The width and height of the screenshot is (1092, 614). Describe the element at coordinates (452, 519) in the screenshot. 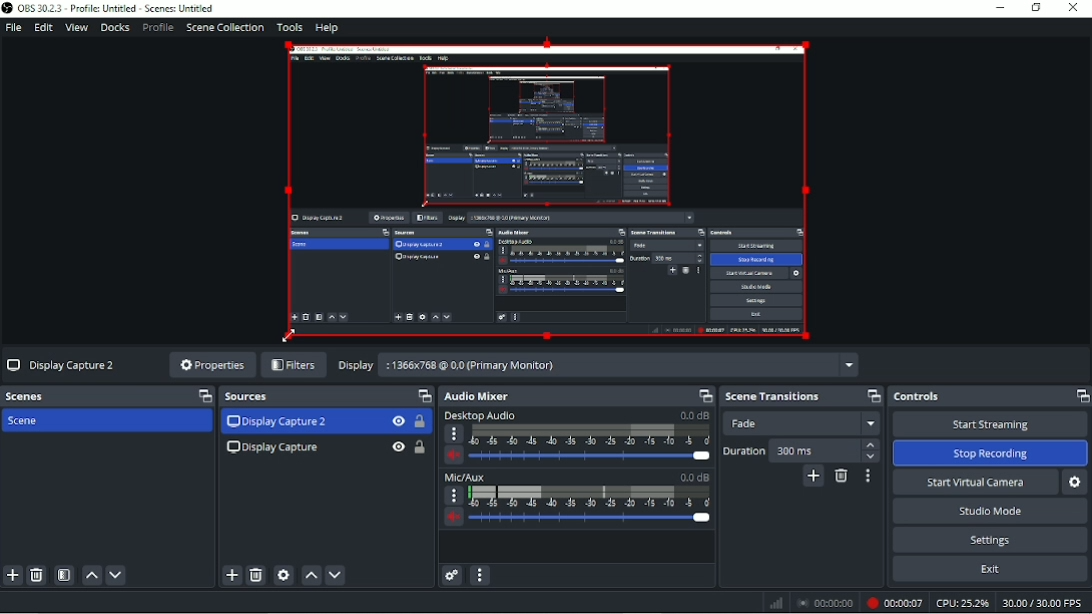

I see `volume` at that location.